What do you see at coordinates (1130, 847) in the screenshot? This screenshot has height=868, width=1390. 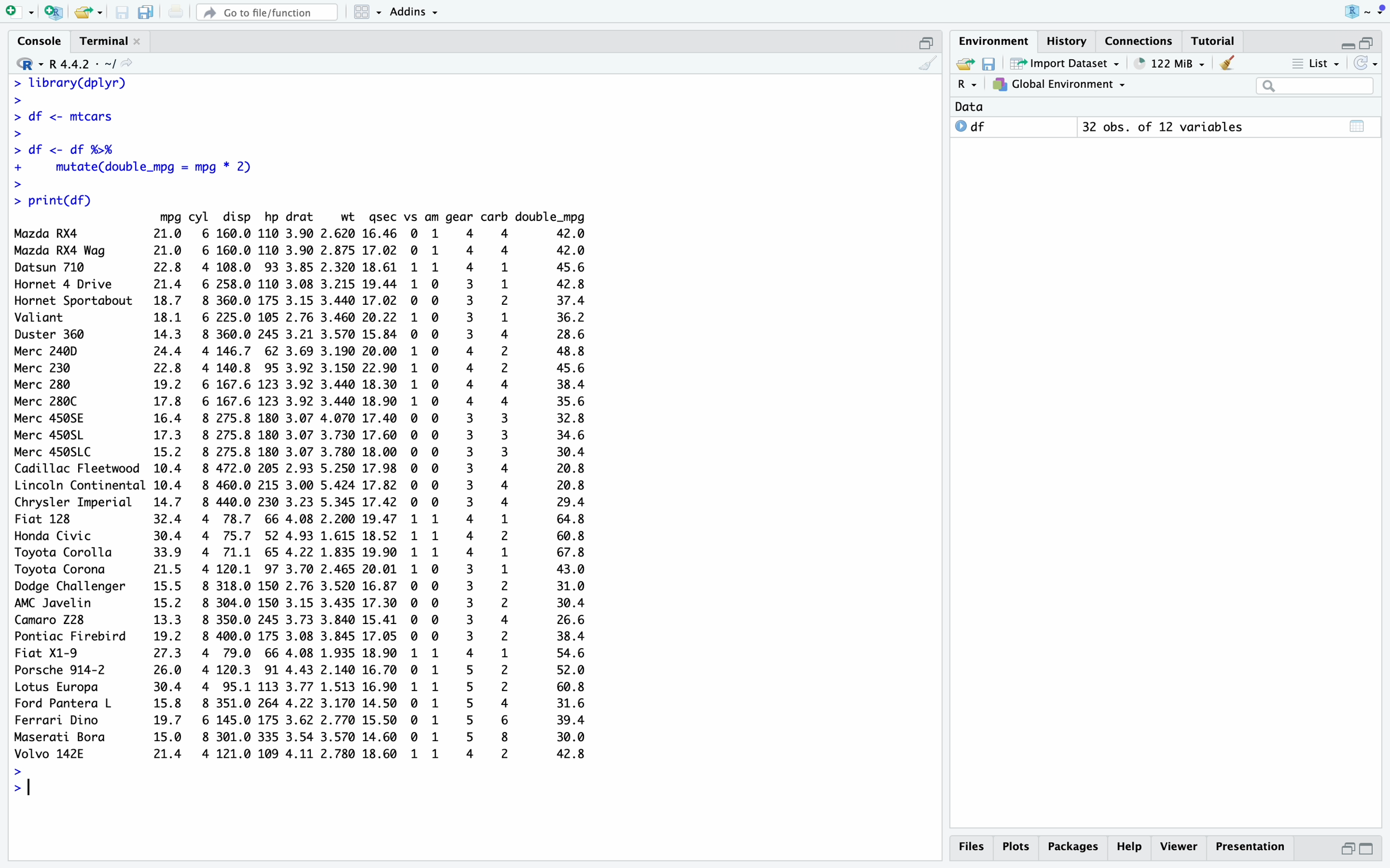 I see `help` at bounding box center [1130, 847].